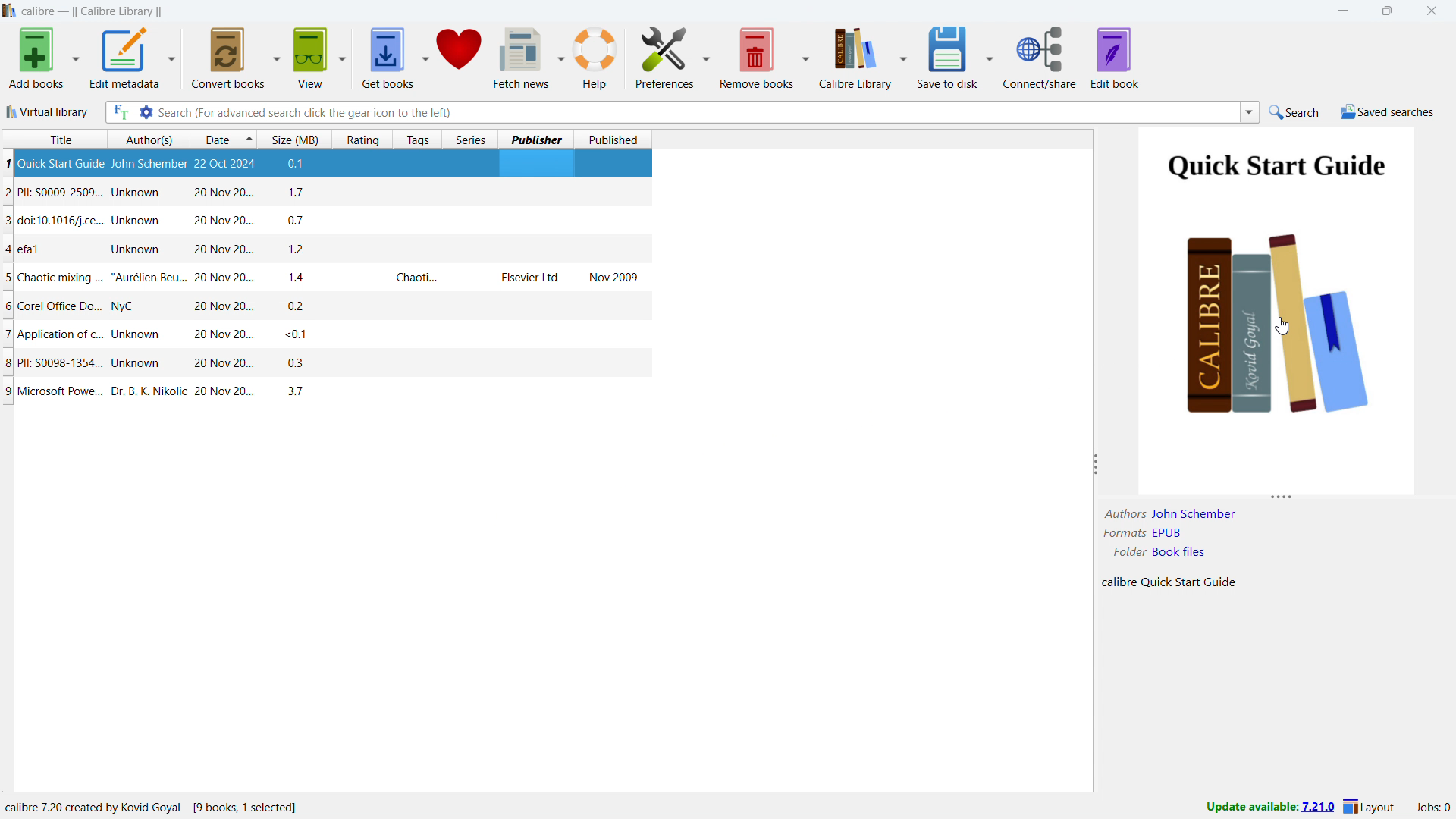  Describe the element at coordinates (296, 249) in the screenshot. I see `1.2` at that location.